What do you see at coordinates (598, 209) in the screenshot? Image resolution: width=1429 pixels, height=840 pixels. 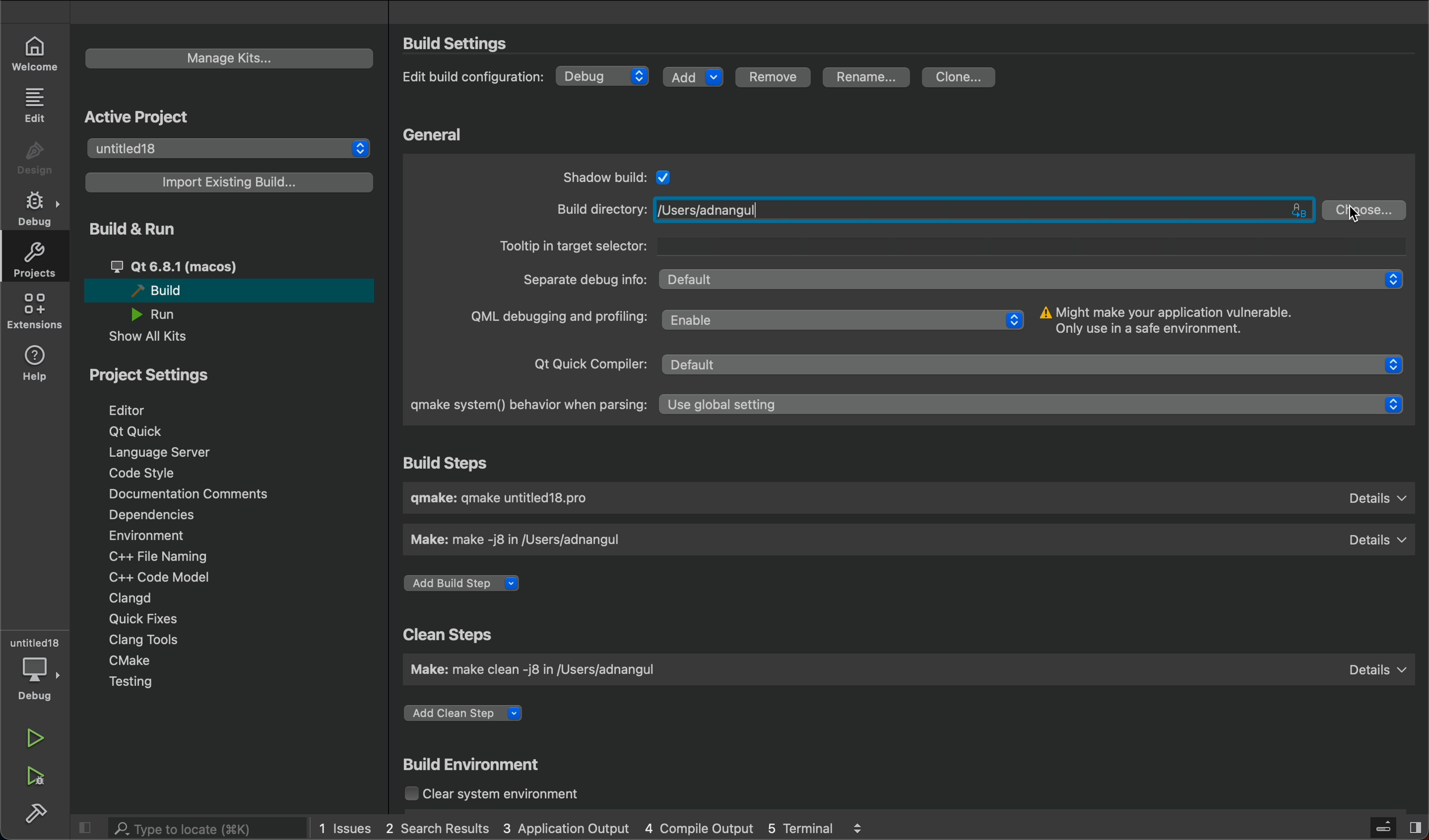 I see `Build directory:` at bounding box center [598, 209].